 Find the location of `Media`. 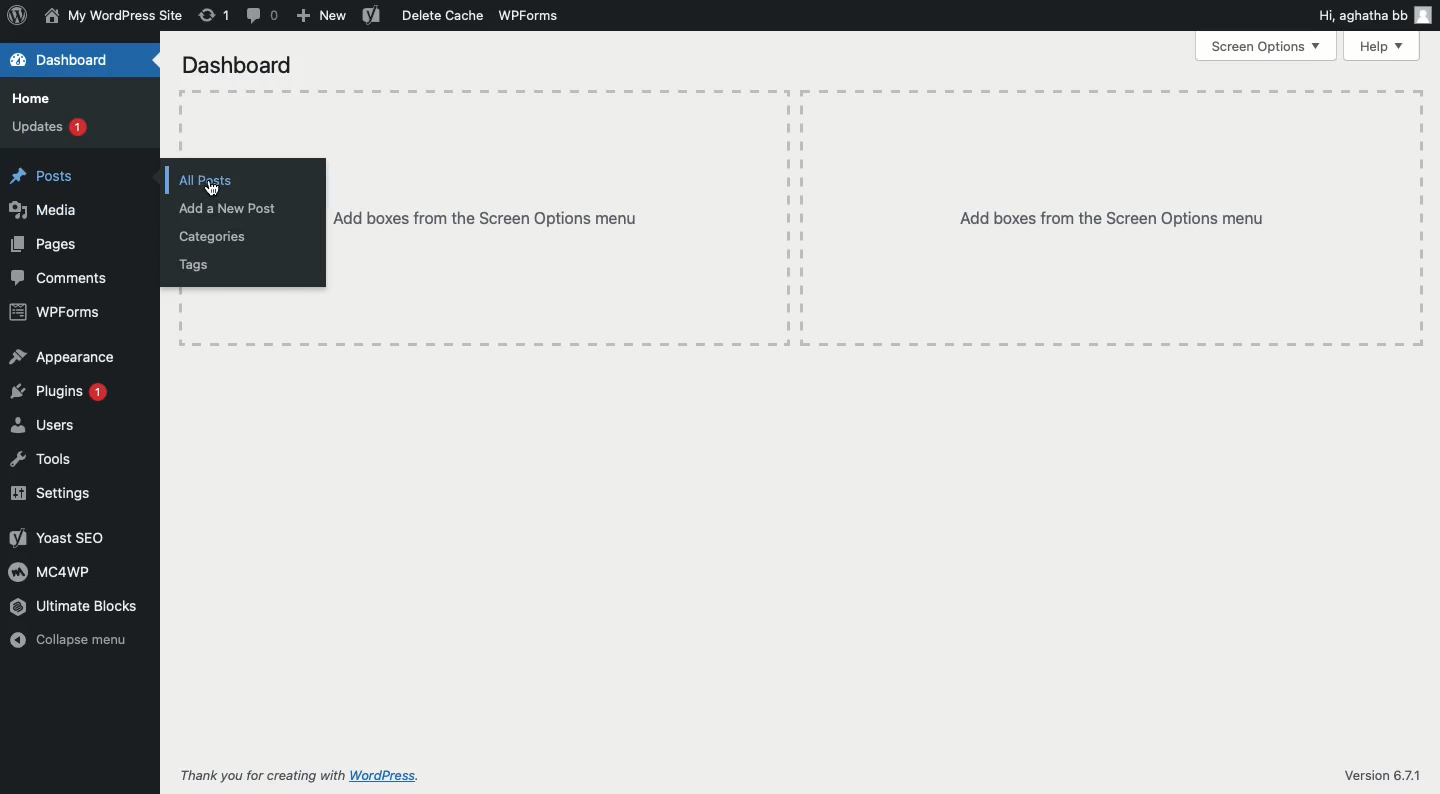

Media is located at coordinates (51, 211).